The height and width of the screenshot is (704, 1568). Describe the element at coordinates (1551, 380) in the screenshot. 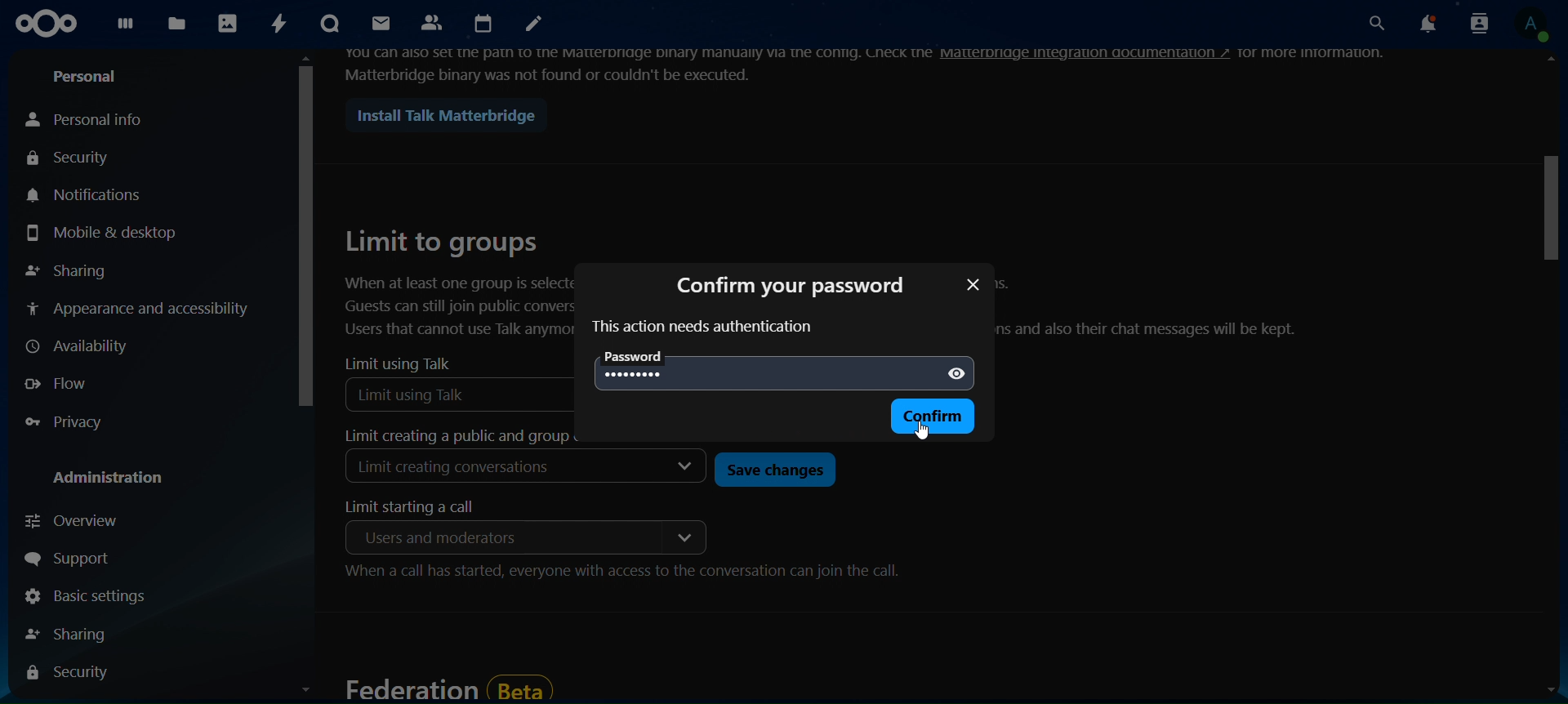

I see `scroll bar` at that location.